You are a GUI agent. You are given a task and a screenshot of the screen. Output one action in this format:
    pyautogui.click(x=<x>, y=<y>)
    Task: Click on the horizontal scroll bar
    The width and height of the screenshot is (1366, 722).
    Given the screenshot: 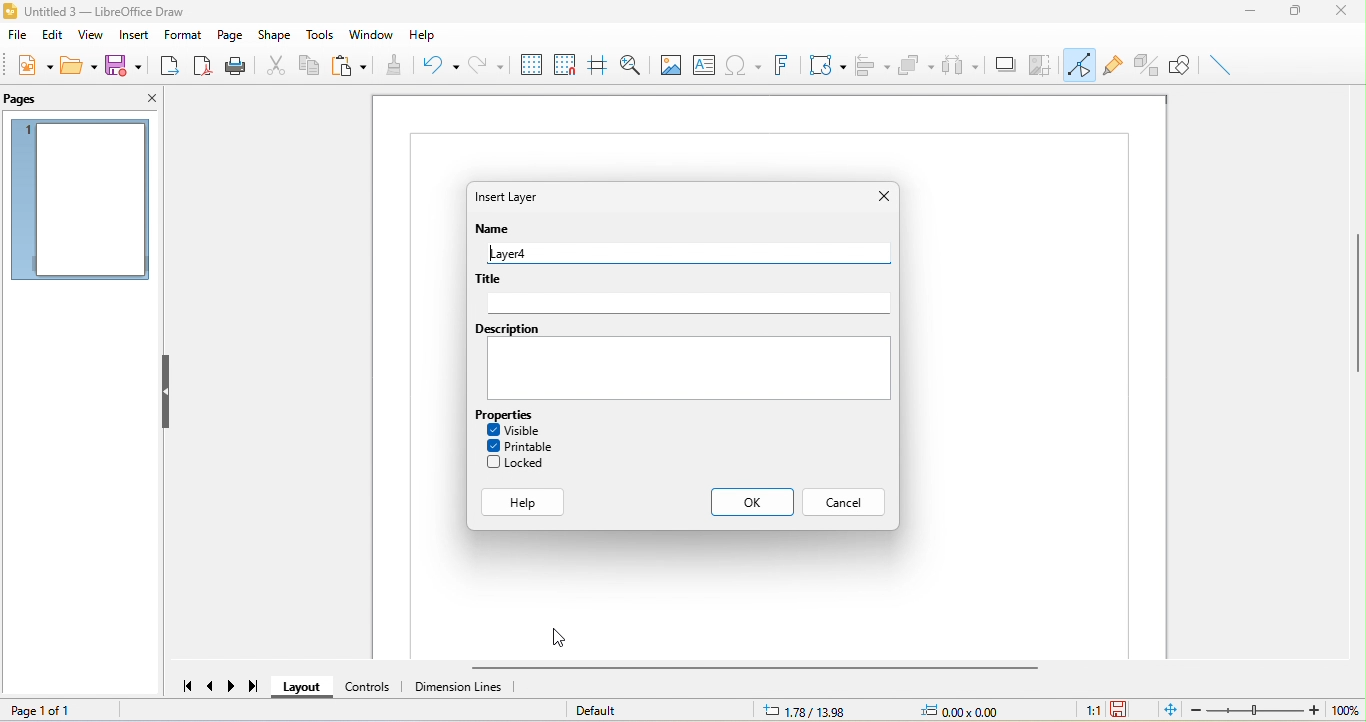 What is the action you would take?
    pyautogui.click(x=761, y=668)
    